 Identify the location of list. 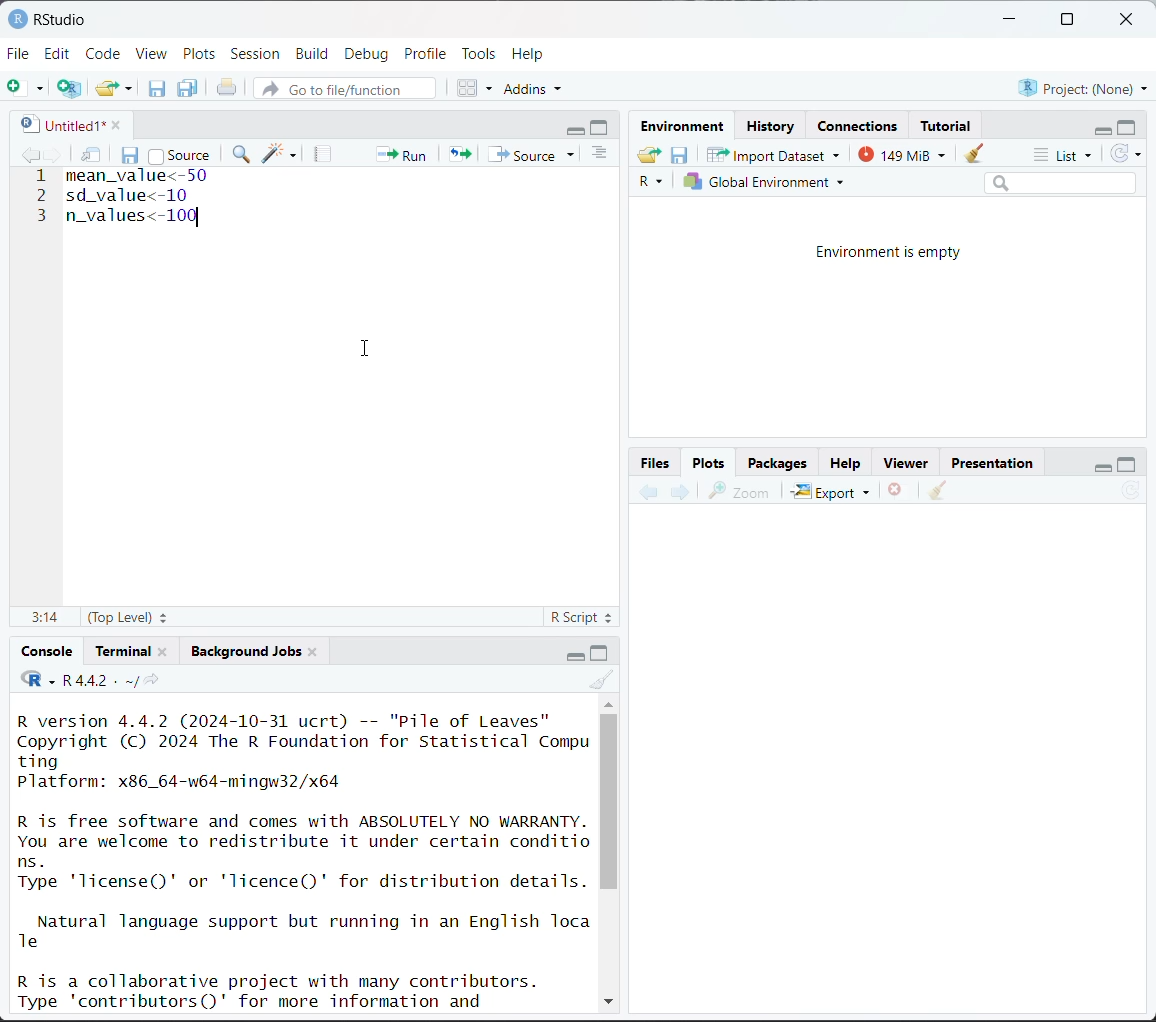
(1066, 156).